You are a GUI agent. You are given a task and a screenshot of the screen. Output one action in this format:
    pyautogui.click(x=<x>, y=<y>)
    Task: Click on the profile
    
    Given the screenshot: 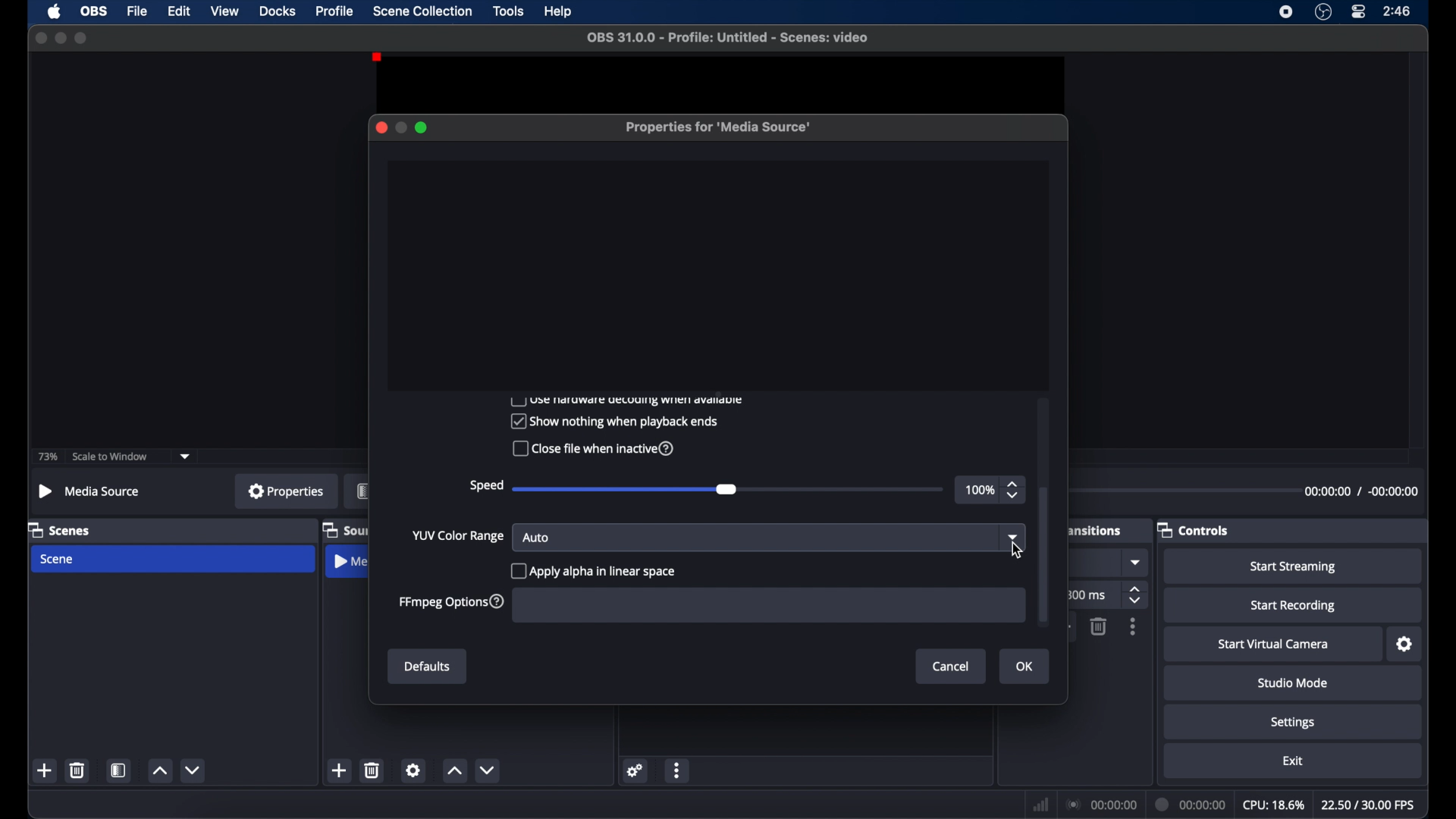 What is the action you would take?
    pyautogui.click(x=336, y=11)
    